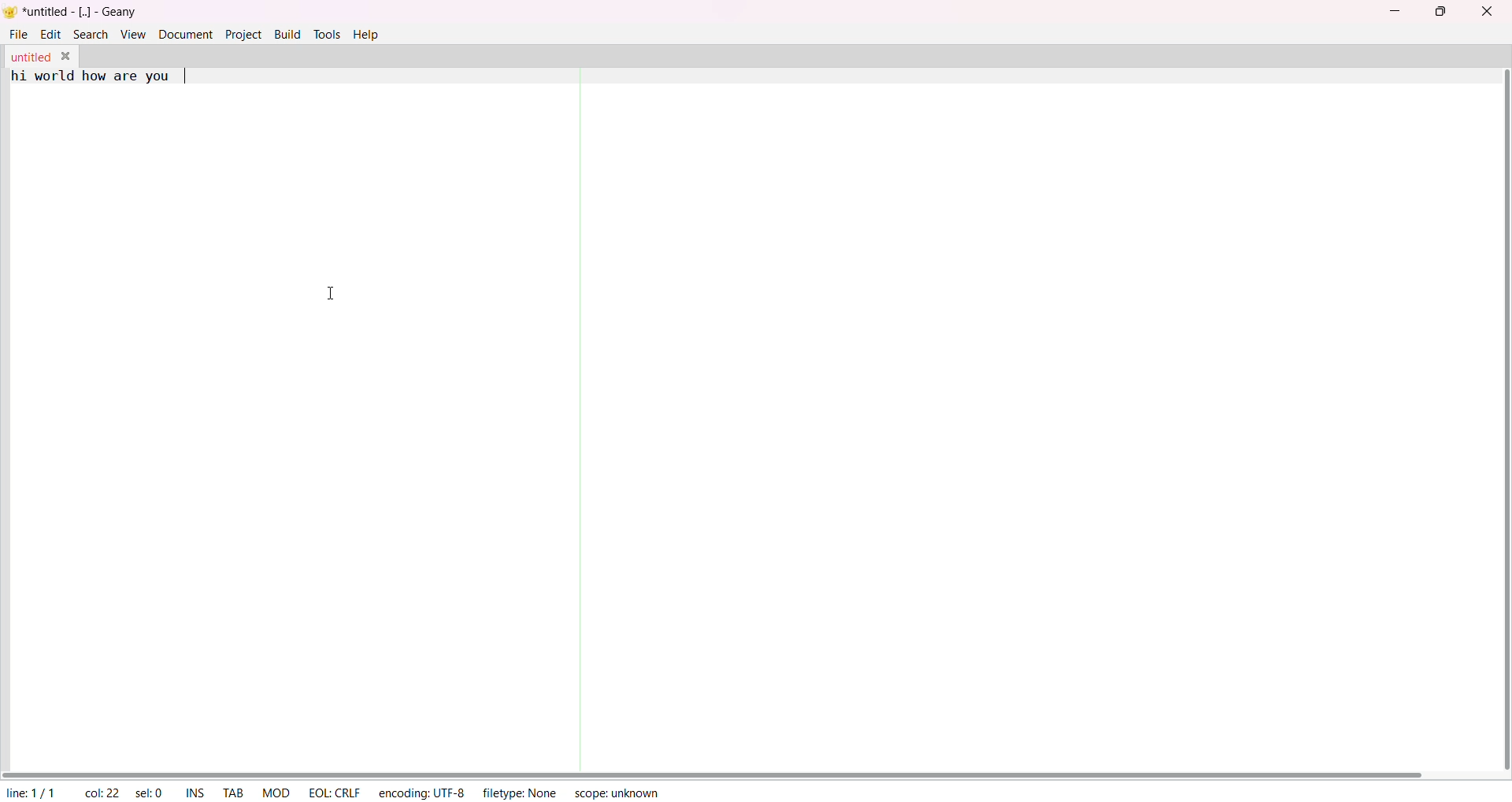  I want to click on minimize, so click(1393, 10).